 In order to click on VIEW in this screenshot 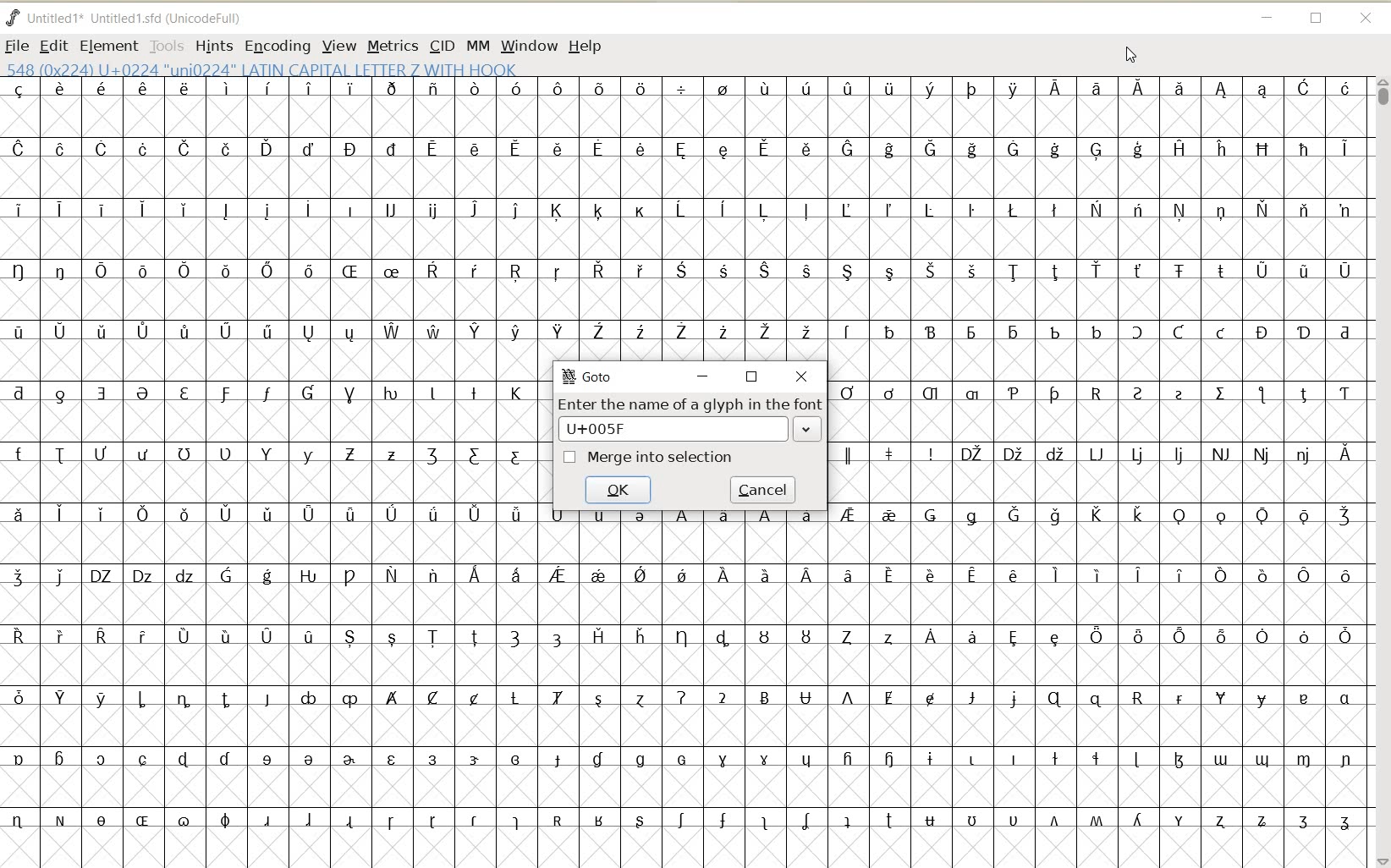, I will do `click(336, 45)`.